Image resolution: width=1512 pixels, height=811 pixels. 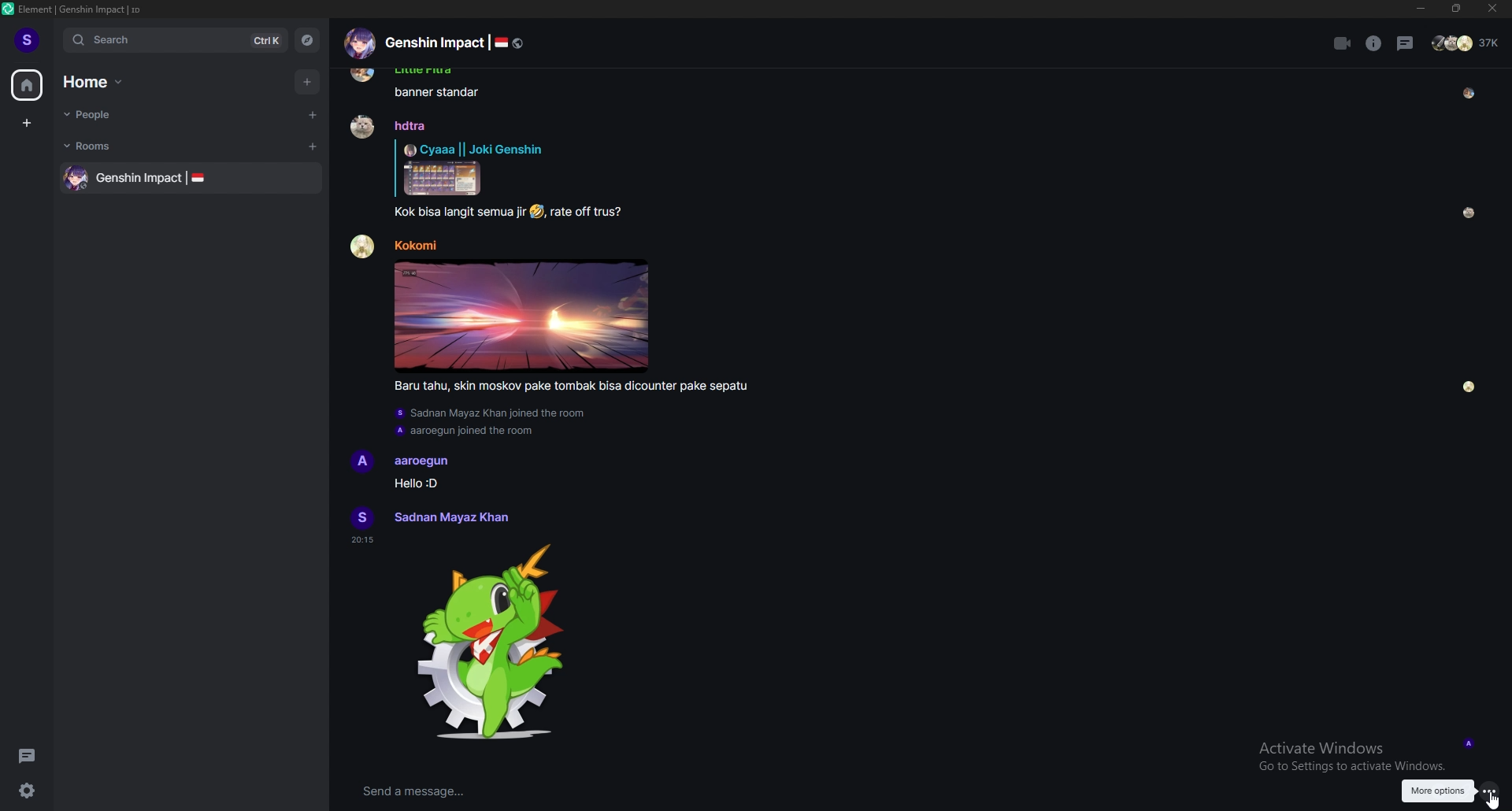 What do you see at coordinates (443, 178) in the screenshot?
I see `Image` at bounding box center [443, 178].